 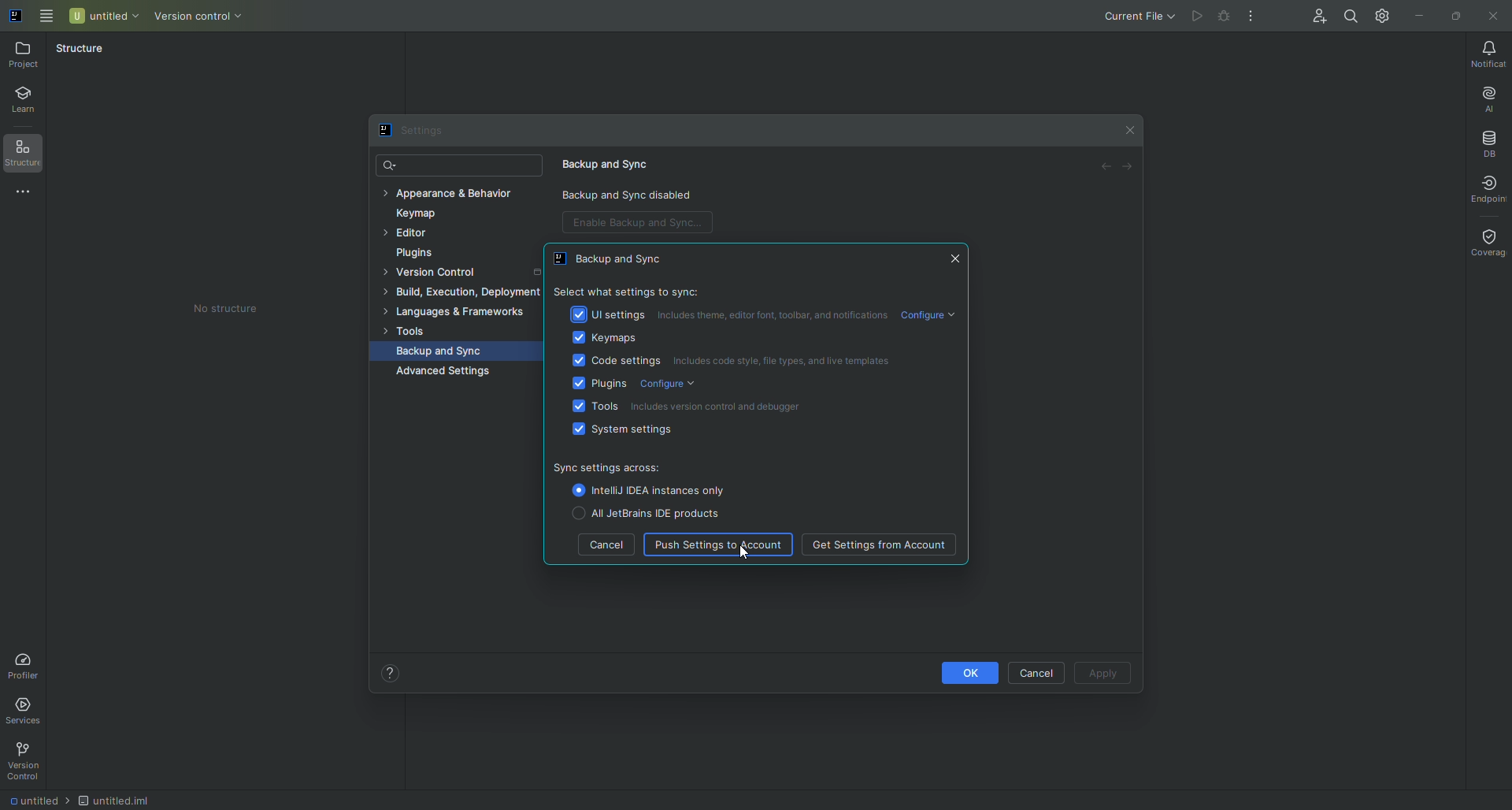 What do you see at coordinates (957, 258) in the screenshot?
I see `Close` at bounding box center [957, 258].